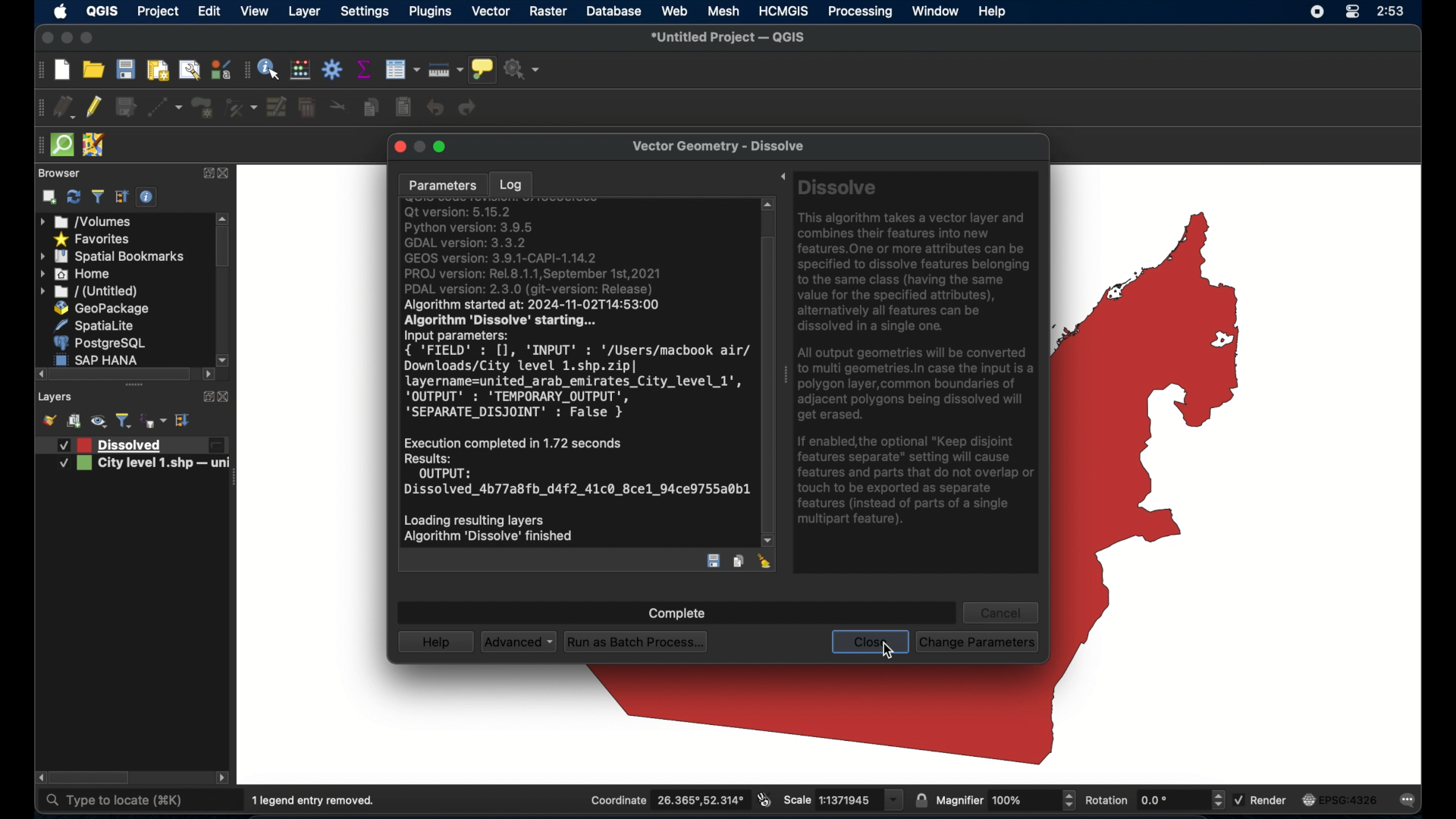 Image resolution: width=1456 pixels, height=819 pixels. What do you see at coordinates (667, 800) in the screenshot?
I see `coordinate` at bounding box center [667, 800].